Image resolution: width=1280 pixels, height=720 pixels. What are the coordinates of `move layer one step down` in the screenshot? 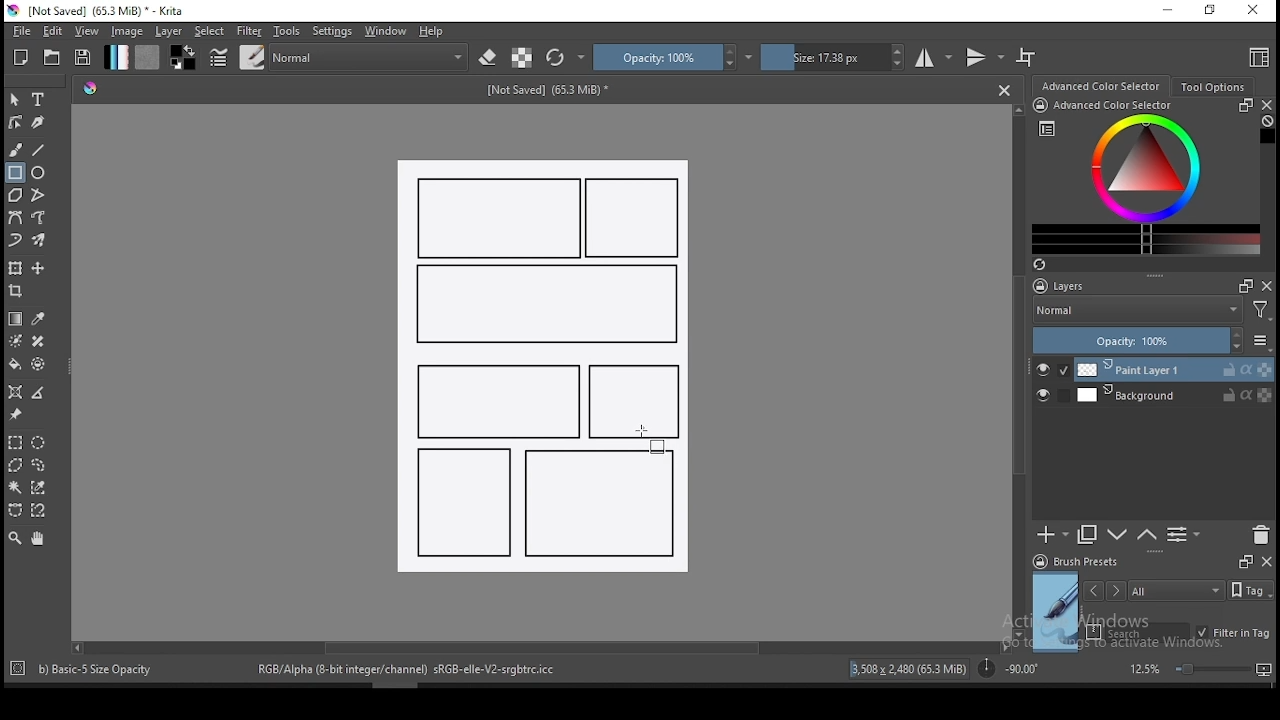 It's located at (1147, 535).